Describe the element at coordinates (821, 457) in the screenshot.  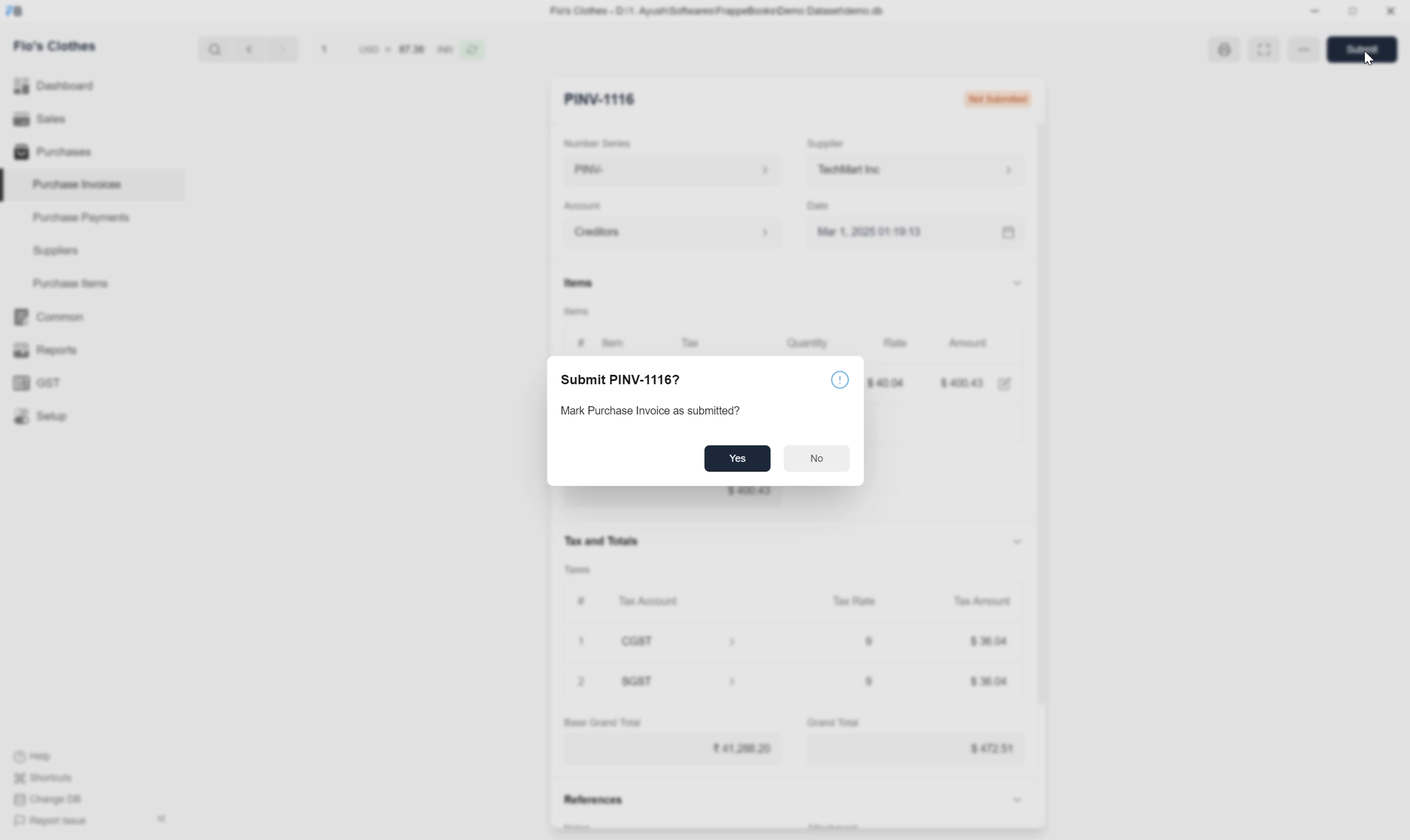
I see `No` at that location.